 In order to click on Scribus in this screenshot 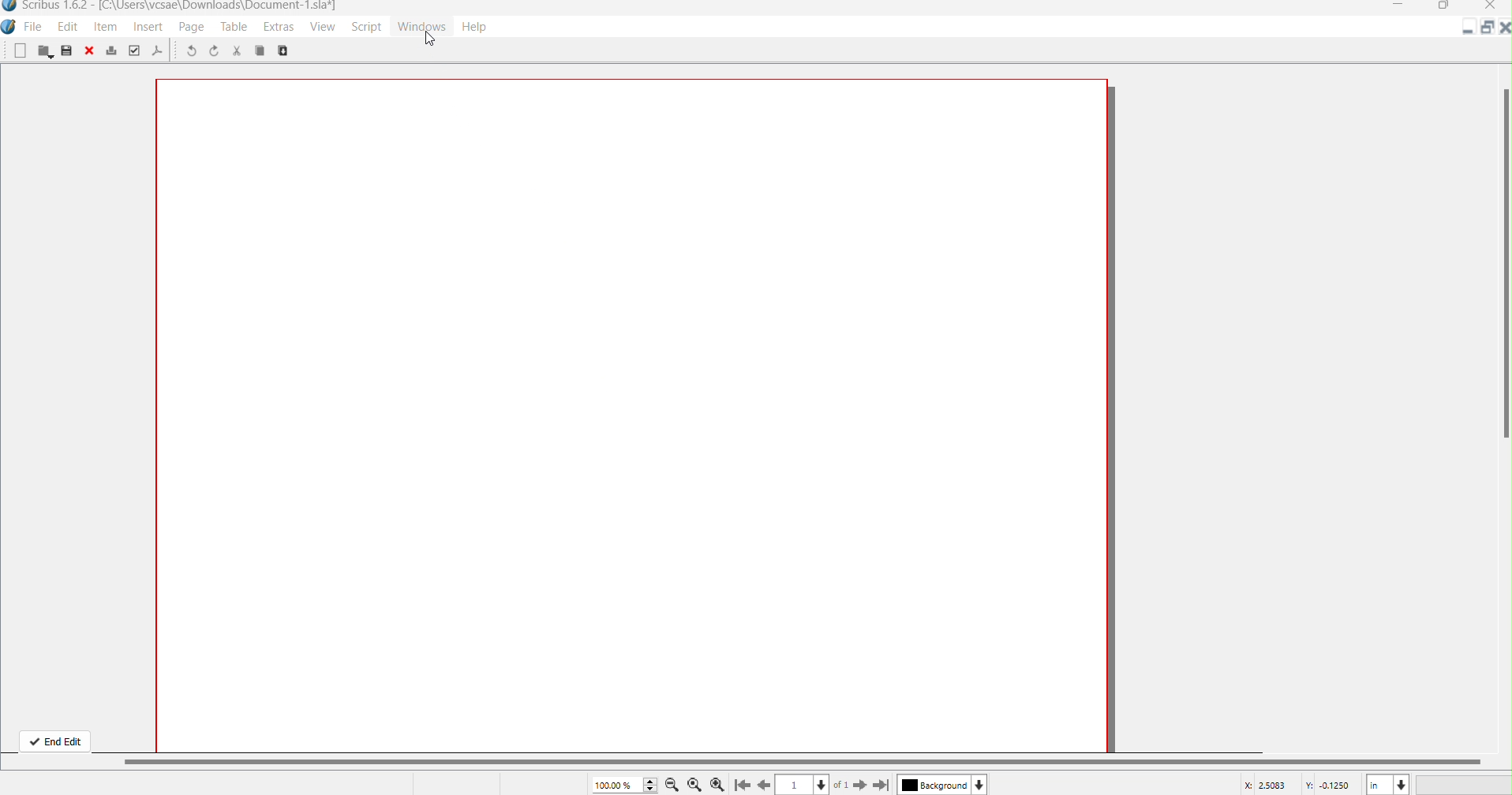, I will do `click(169, 9)`.